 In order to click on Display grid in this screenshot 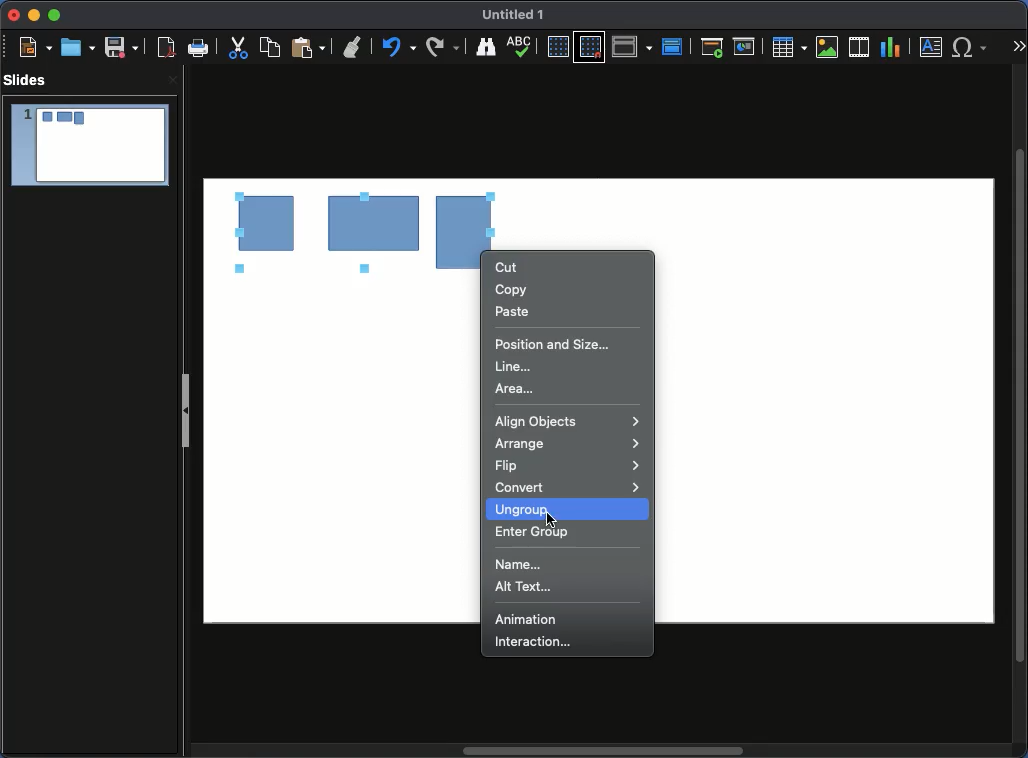, I will do `click(557, 47)`.